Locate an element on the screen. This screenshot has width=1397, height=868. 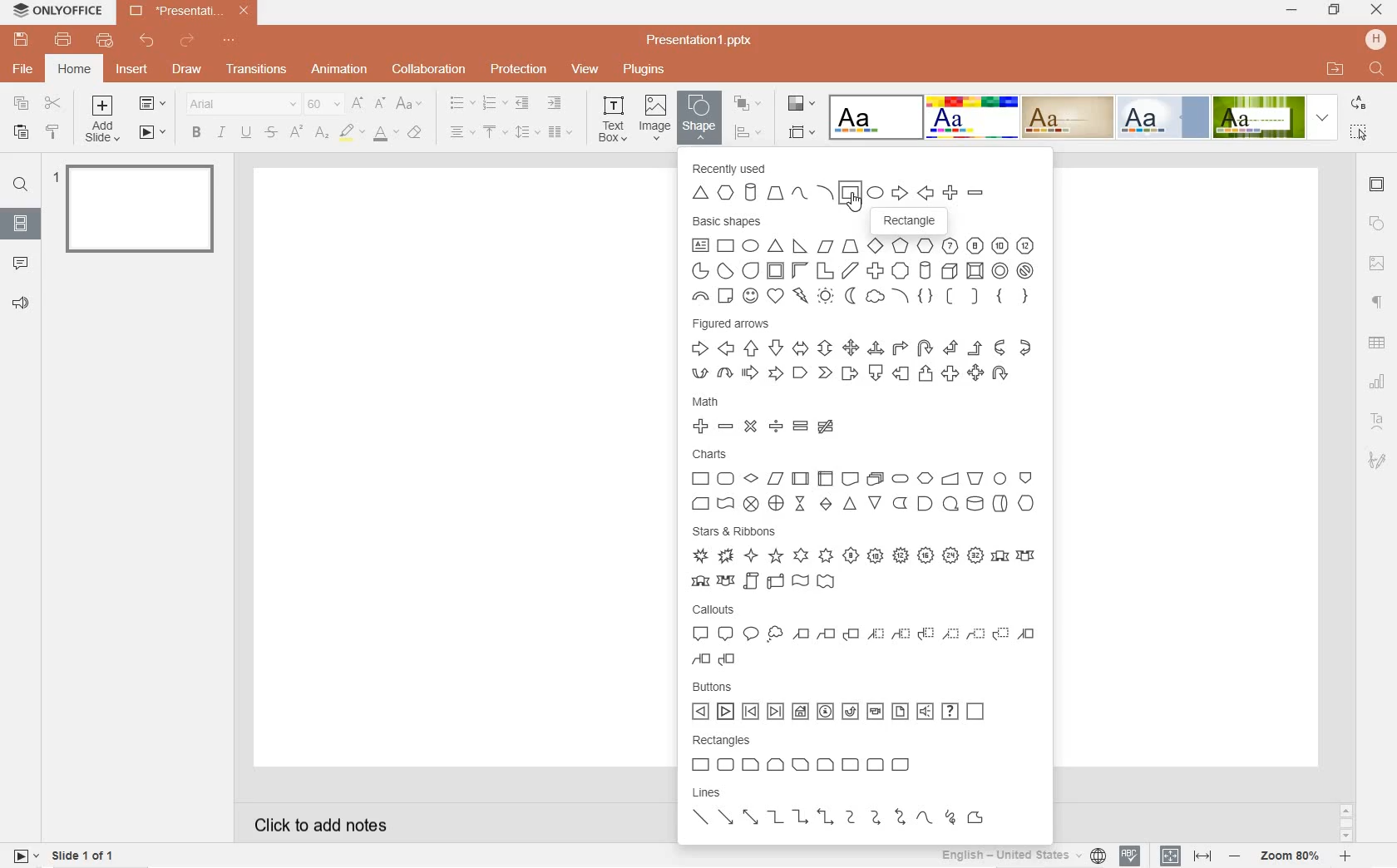
table settings is located at coordinates (1379, 343).